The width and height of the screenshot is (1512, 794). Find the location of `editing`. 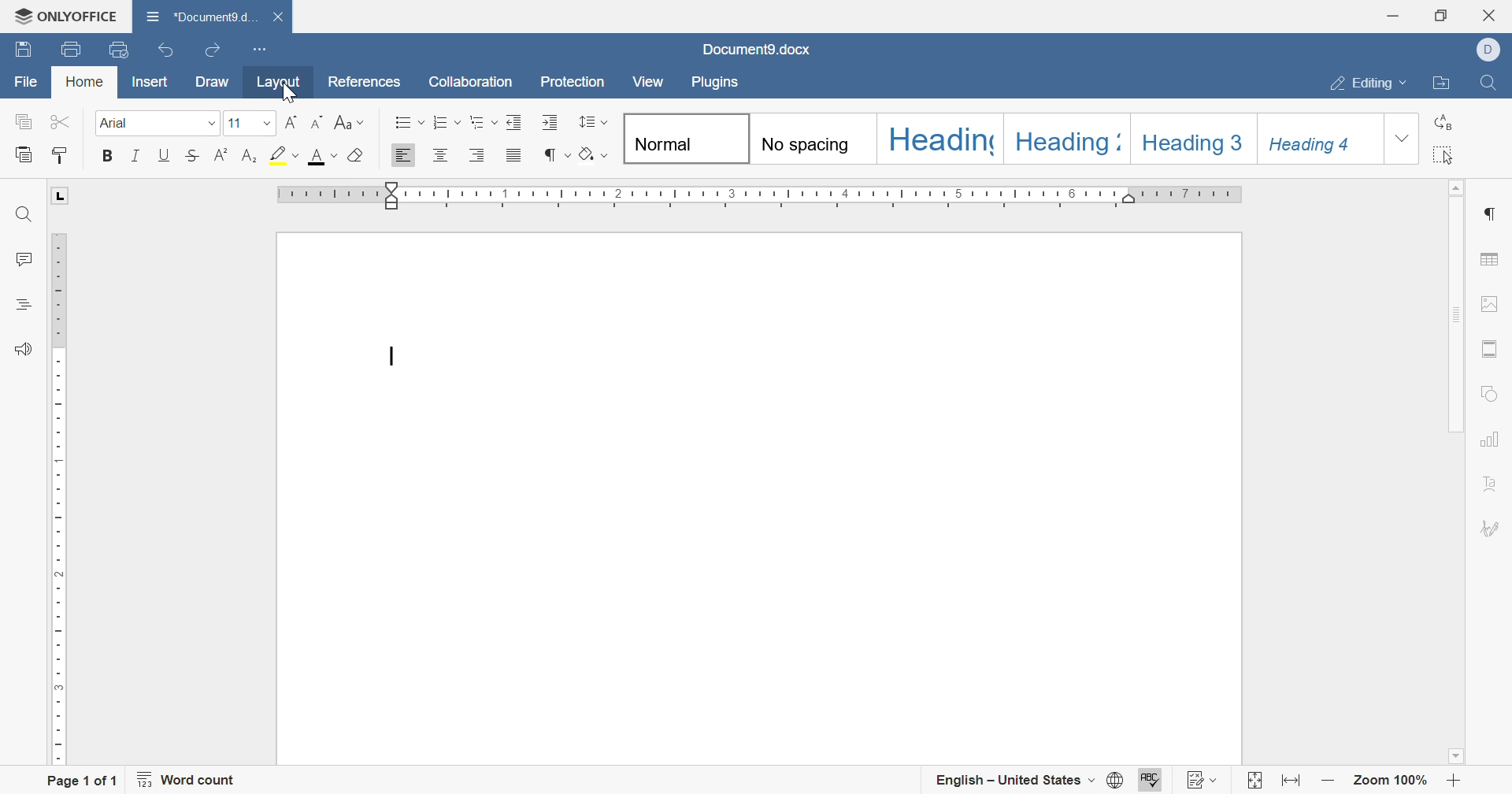

editing is located at coordinates (1365, 86).